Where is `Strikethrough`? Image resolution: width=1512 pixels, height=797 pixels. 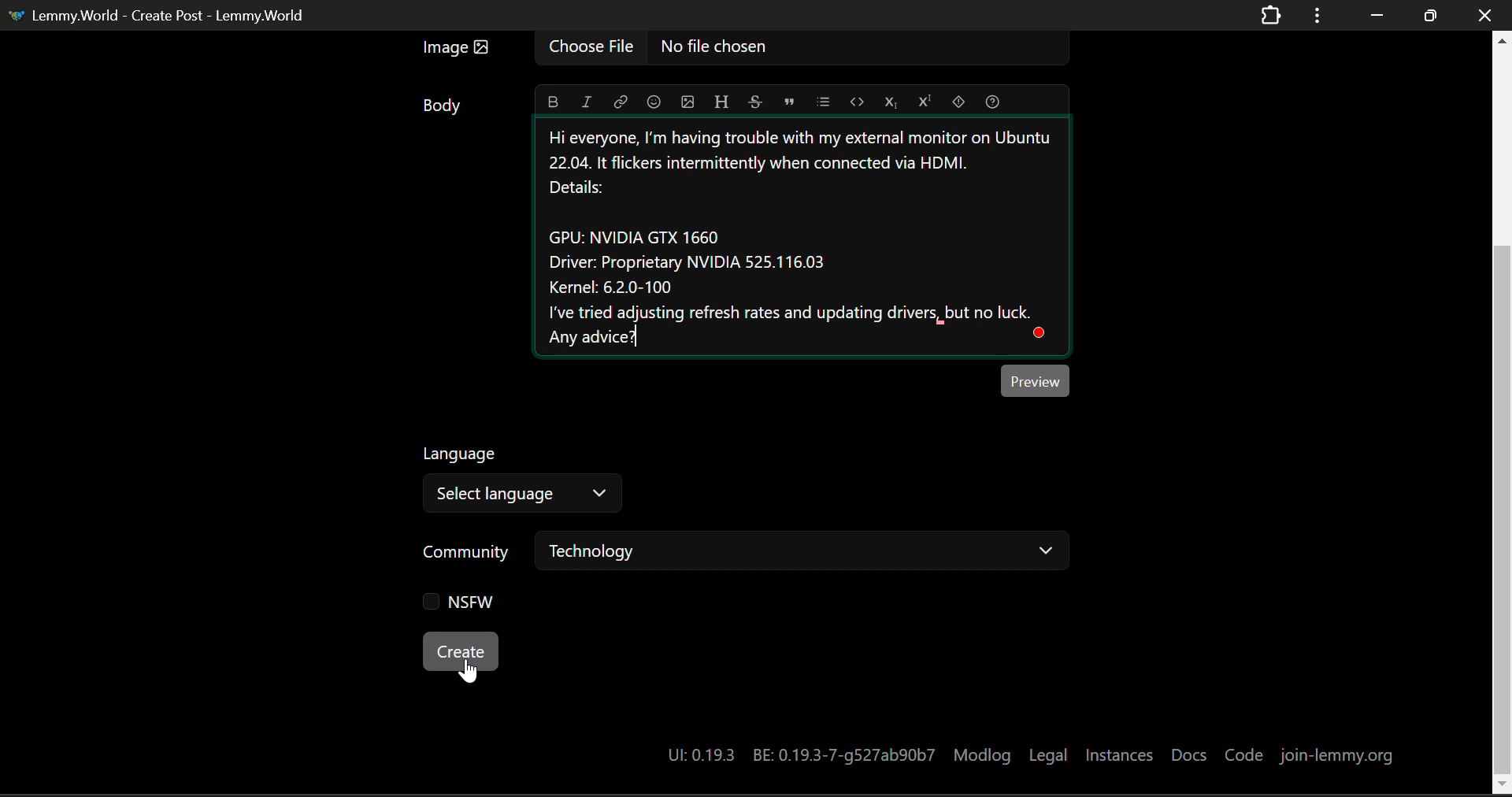 Strikethrough is located at coordinates (754, 99).